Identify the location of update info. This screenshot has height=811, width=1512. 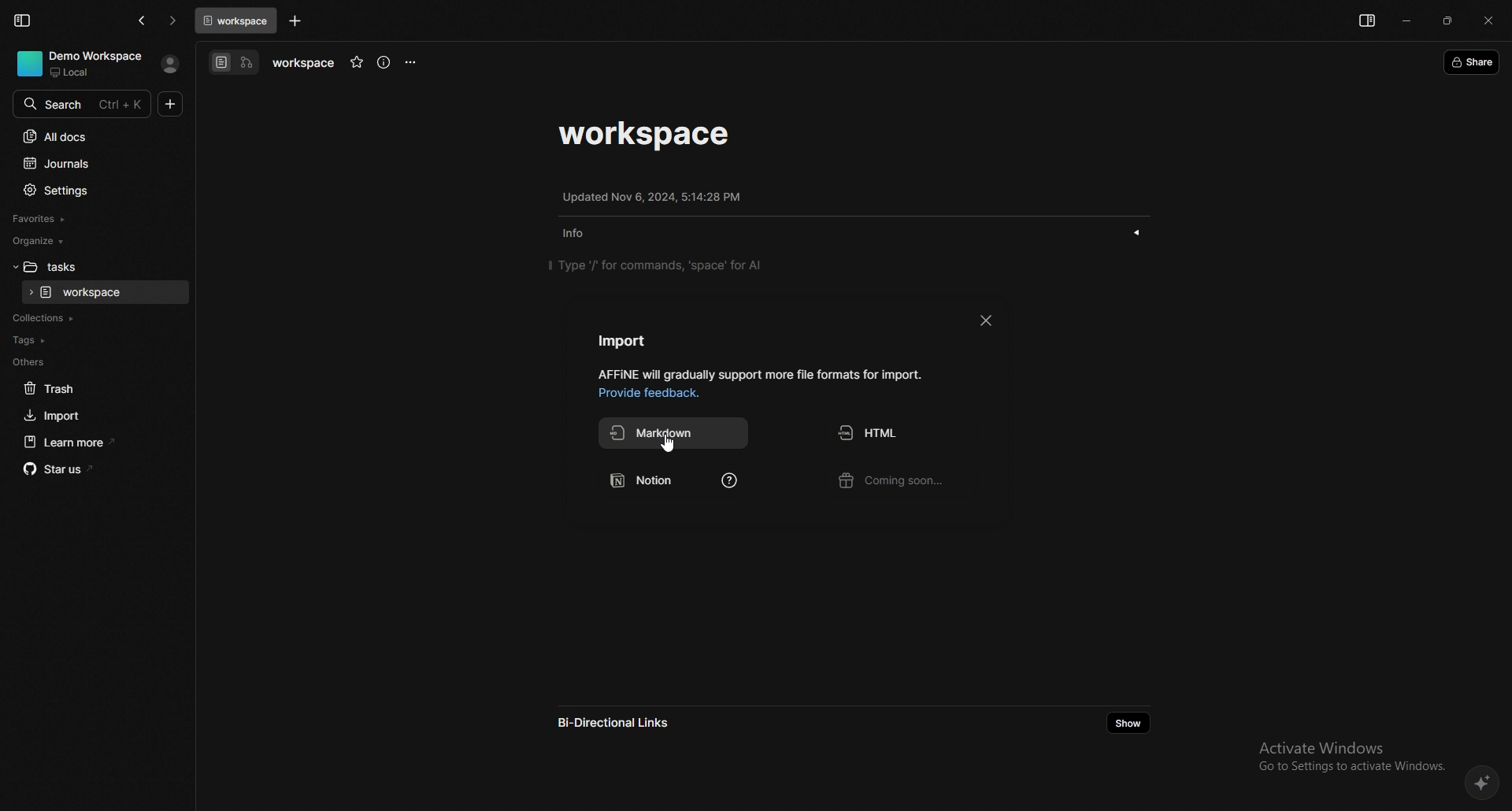
(652, 197).